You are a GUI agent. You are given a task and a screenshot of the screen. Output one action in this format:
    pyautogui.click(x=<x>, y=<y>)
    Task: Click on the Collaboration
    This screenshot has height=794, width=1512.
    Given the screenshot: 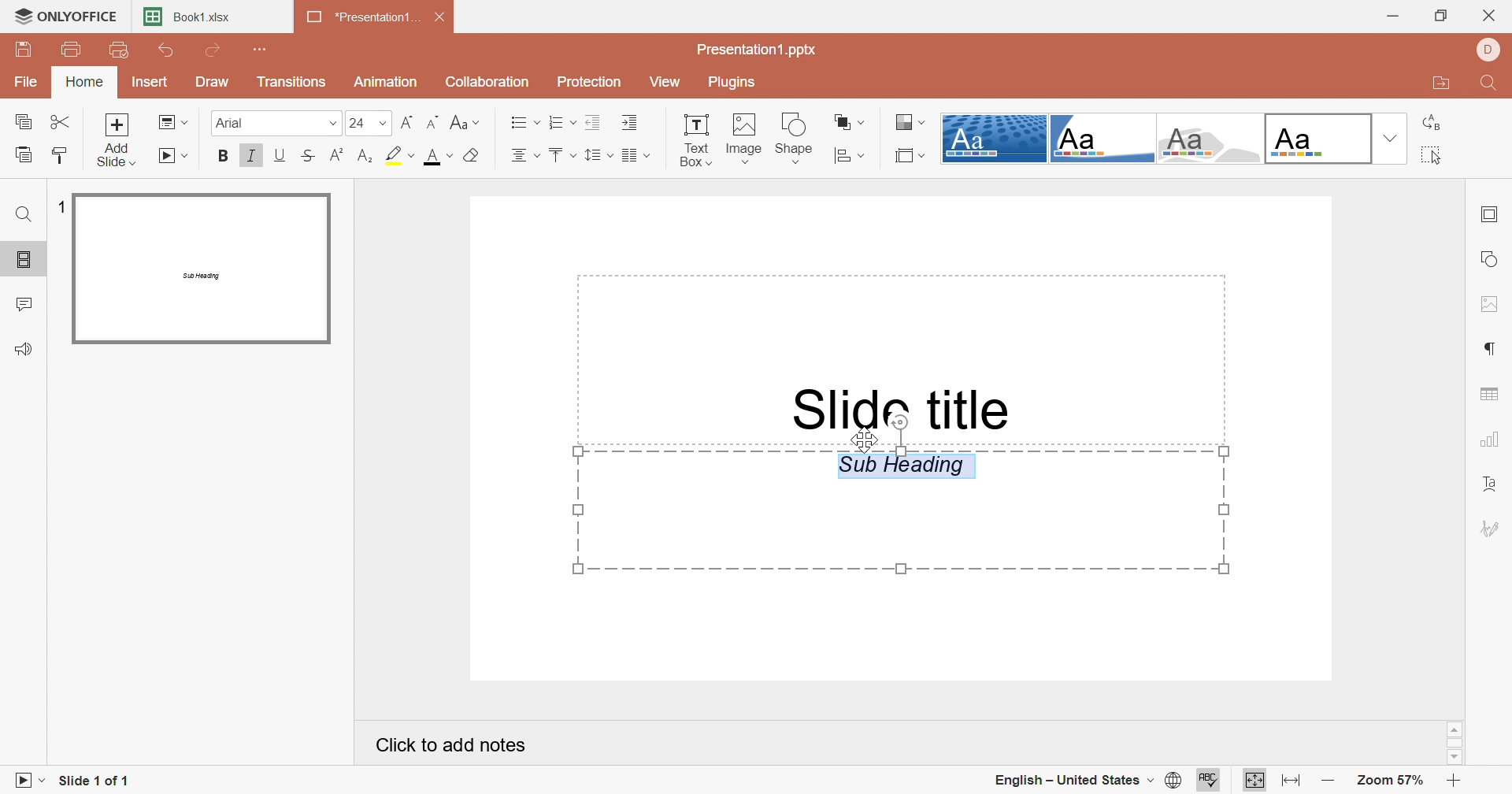 What is the action you would take?
    pyautogui.click(x=485, y=82)
    